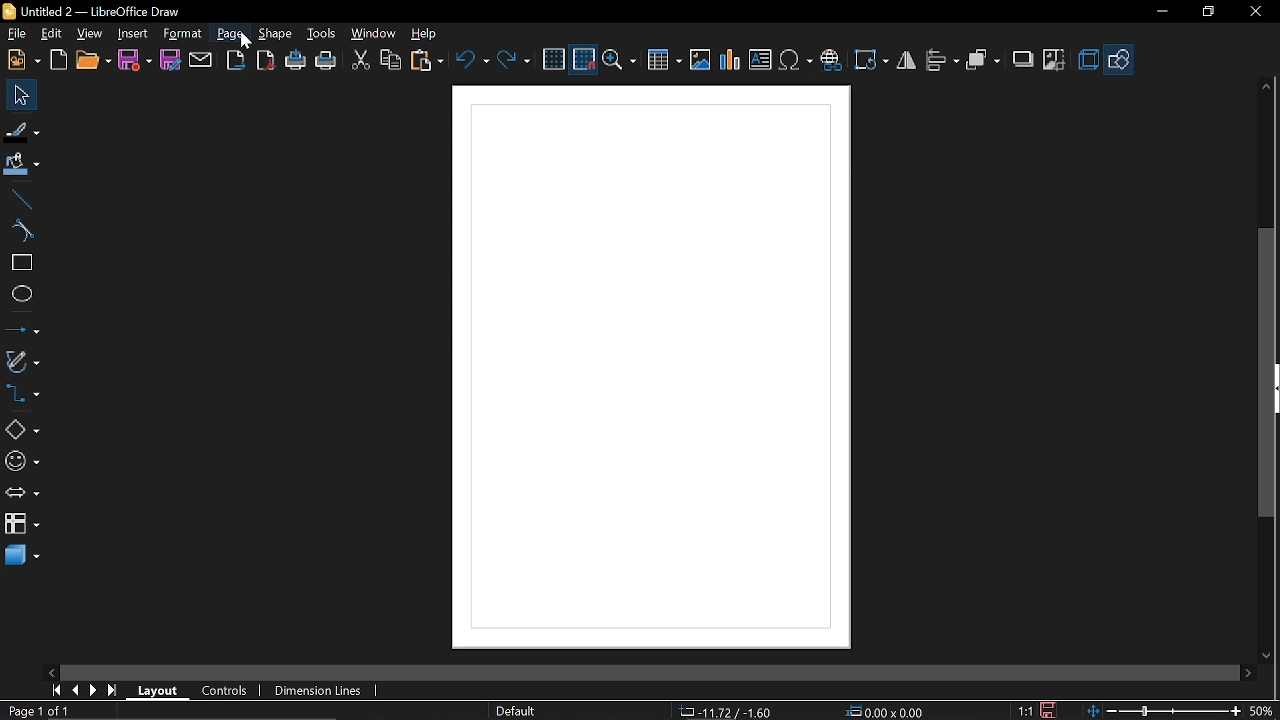 Image resolution: width=1280 pixels, height=720 pixels. What do you see at coordinates (184, 34) in the screenshot?
I see `format` at bounding box center [184, 34].